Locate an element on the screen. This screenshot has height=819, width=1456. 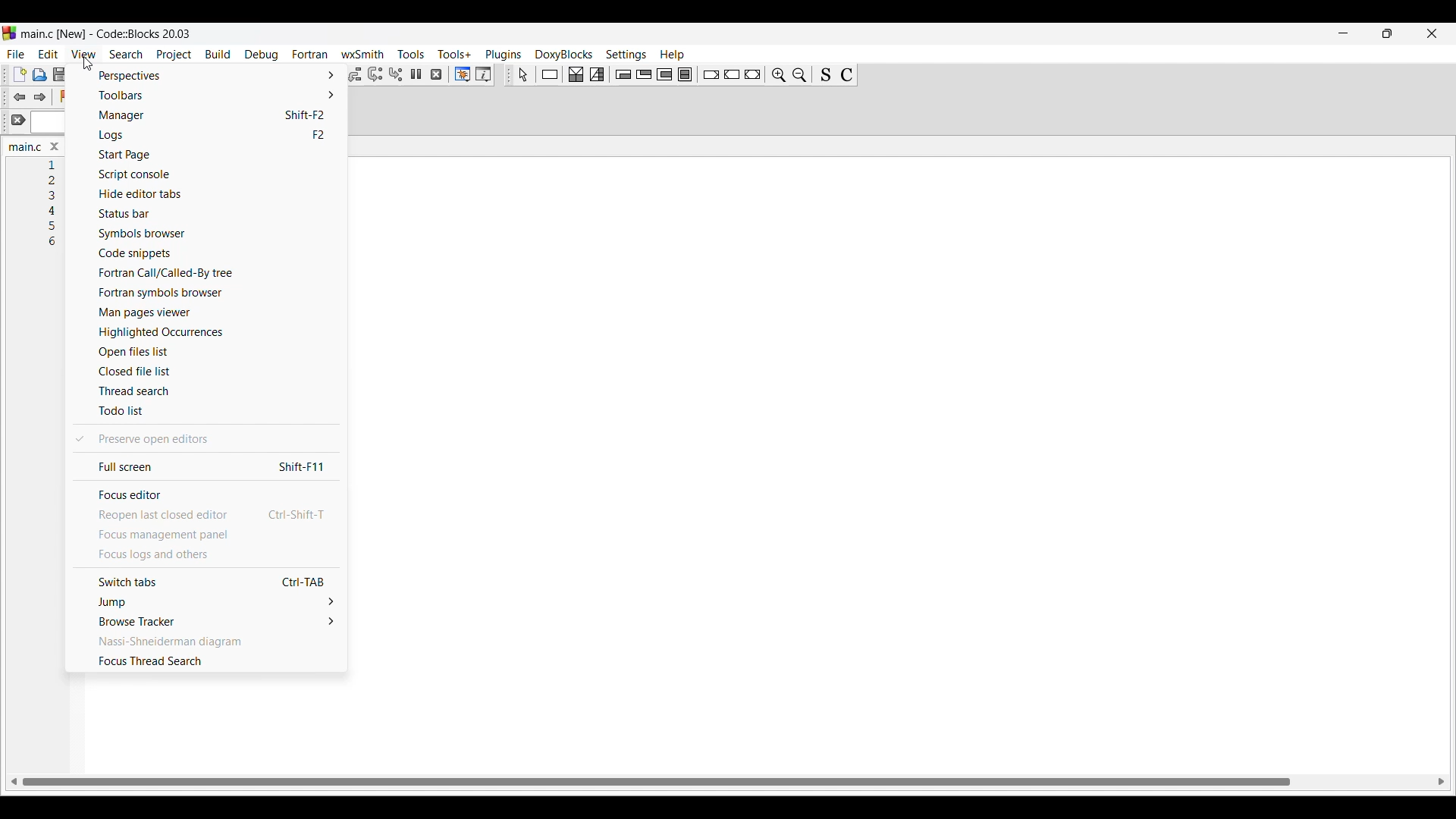
Focus thread search is located at coordinates (205, 662).